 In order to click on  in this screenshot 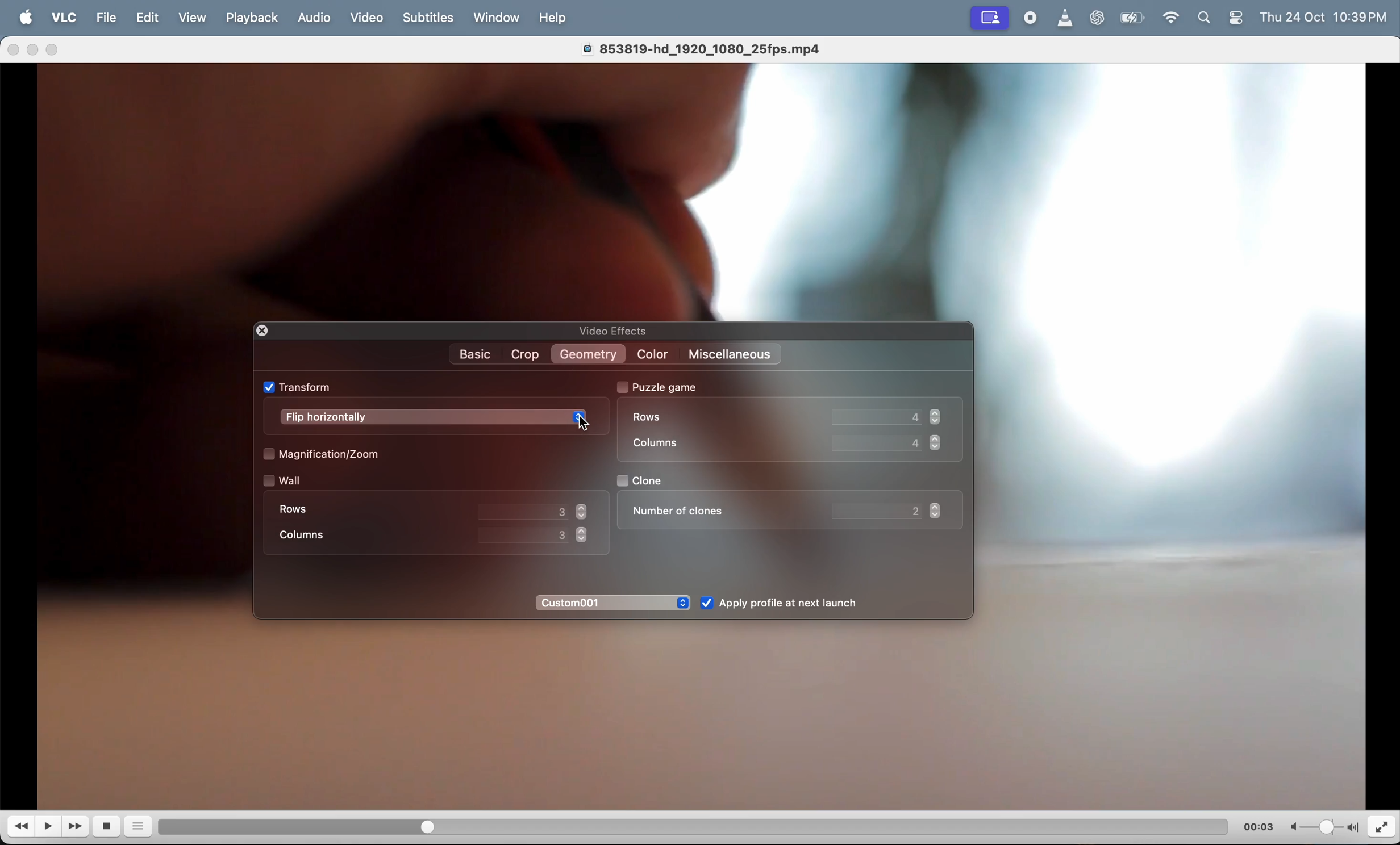, I will do `click(497, 18)`.